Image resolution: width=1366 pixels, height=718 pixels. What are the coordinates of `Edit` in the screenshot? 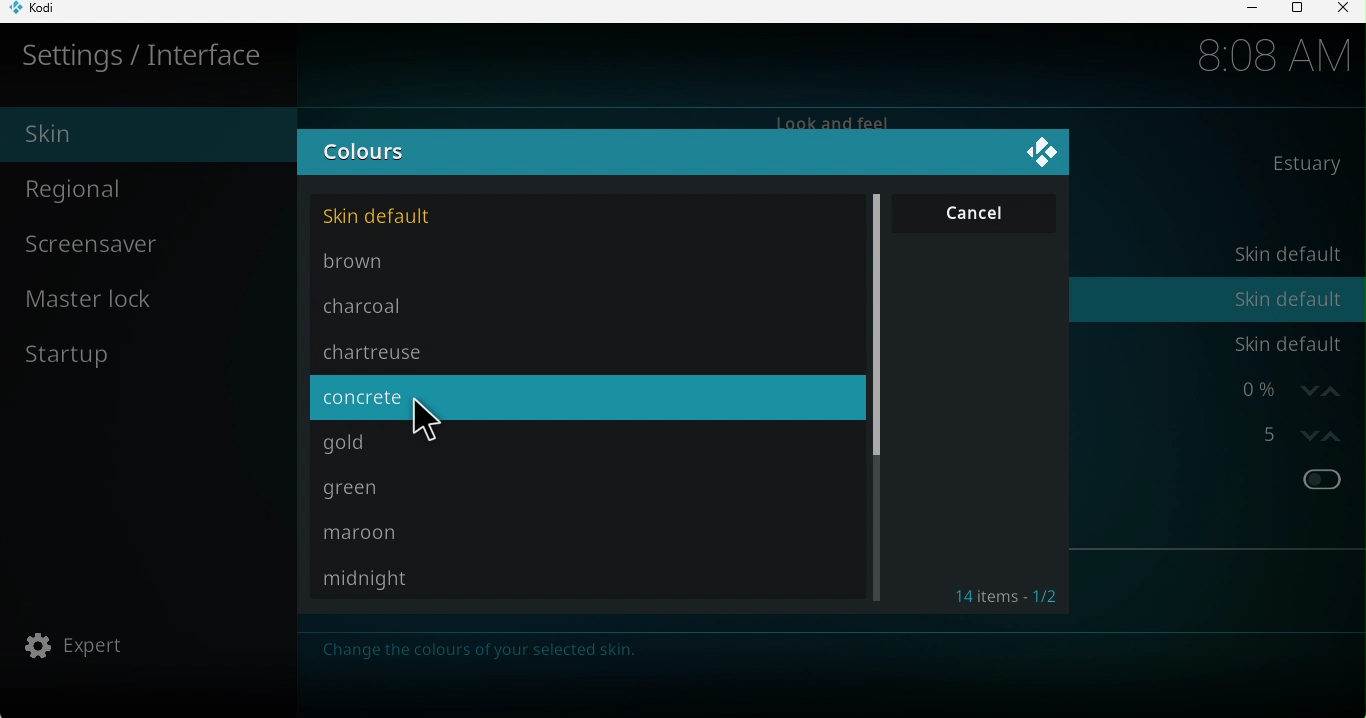 It's located at (1219, 524).